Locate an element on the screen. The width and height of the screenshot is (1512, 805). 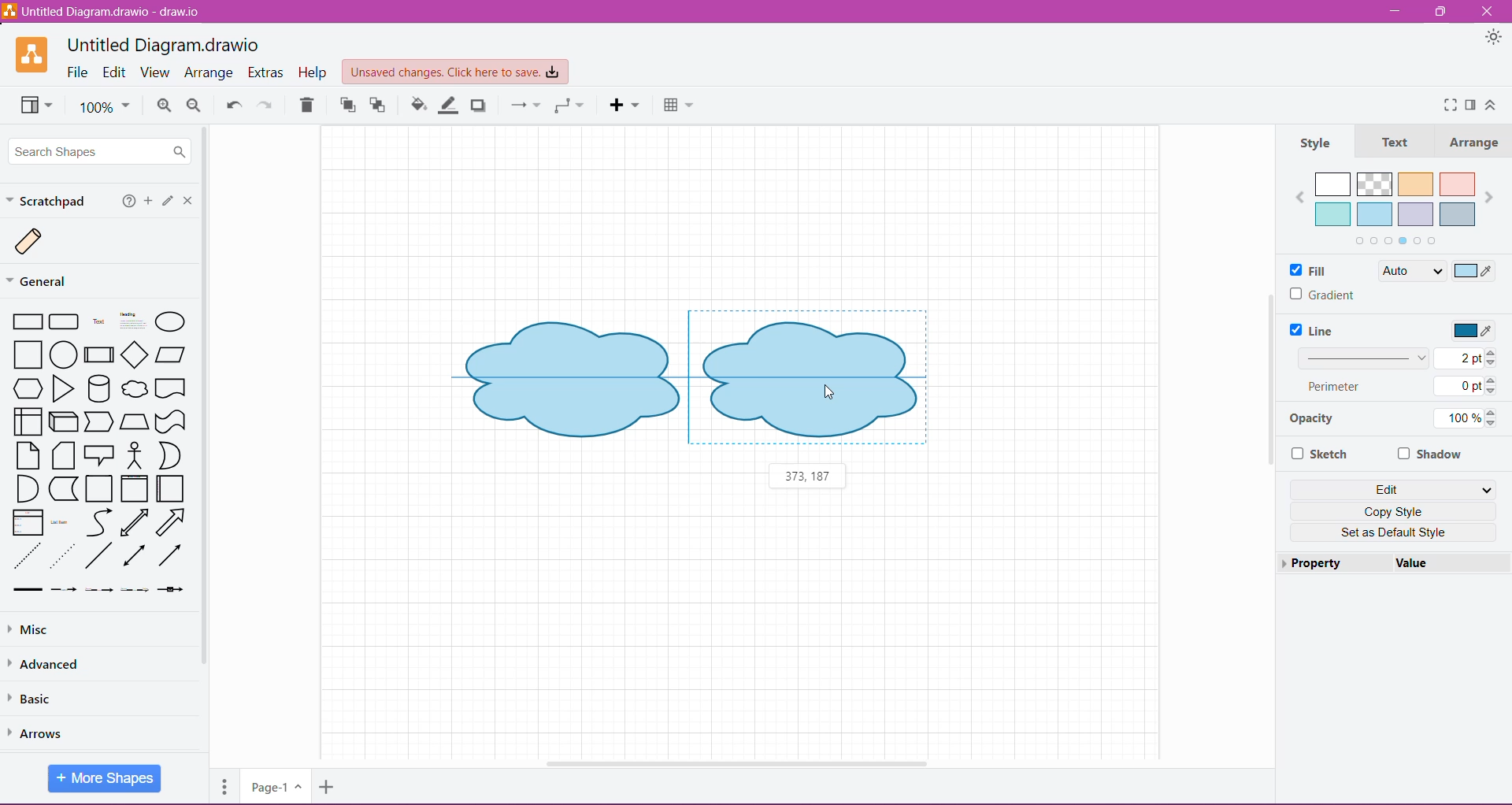
Application Logo is located at coordinates (33, 54).